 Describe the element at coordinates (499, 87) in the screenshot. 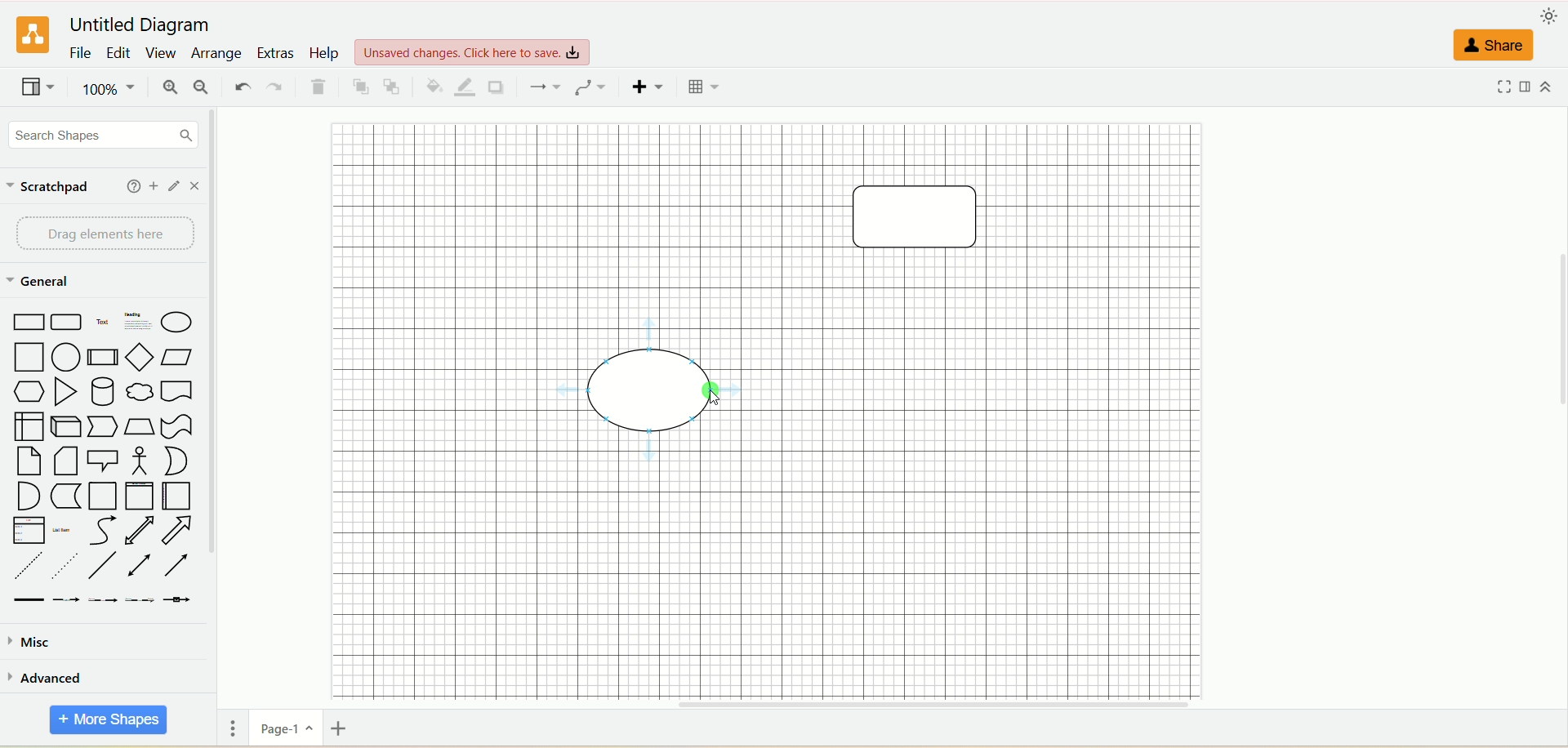

I see `shadow` at that location.